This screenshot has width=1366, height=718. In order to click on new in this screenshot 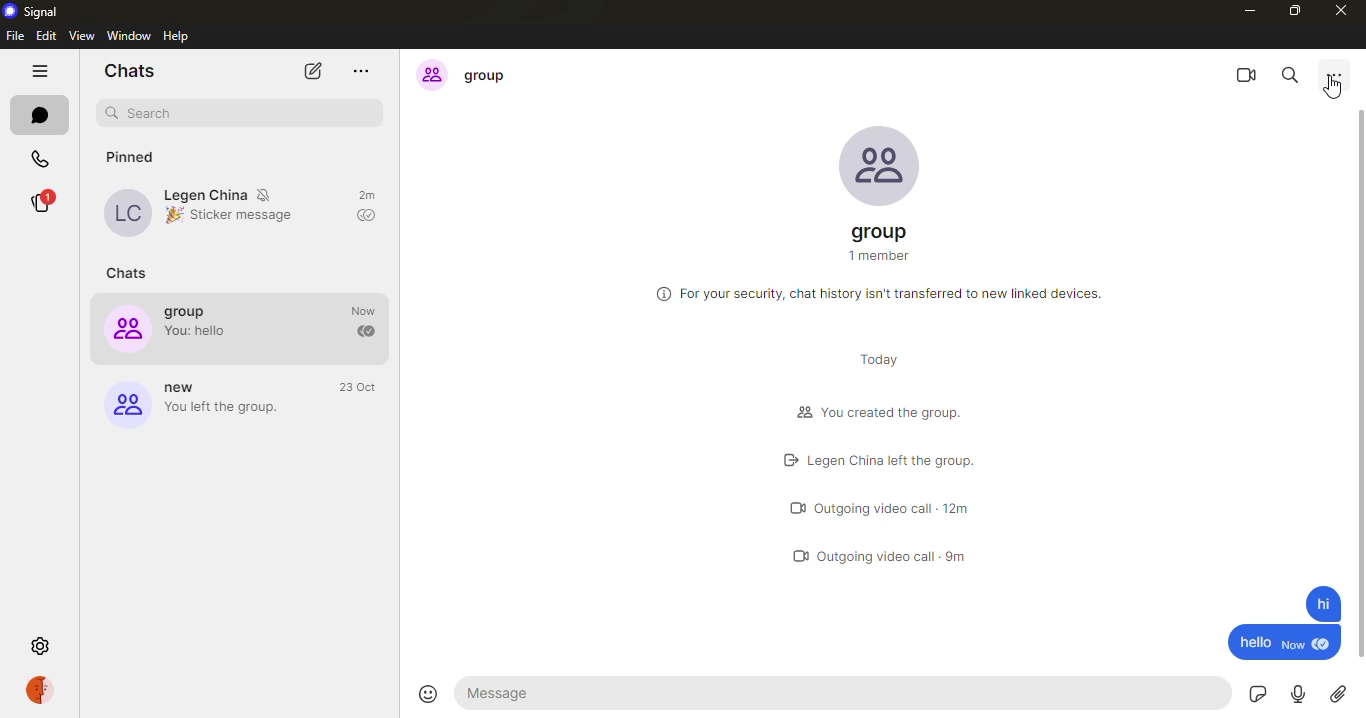, I will do `click(183, 387)`.